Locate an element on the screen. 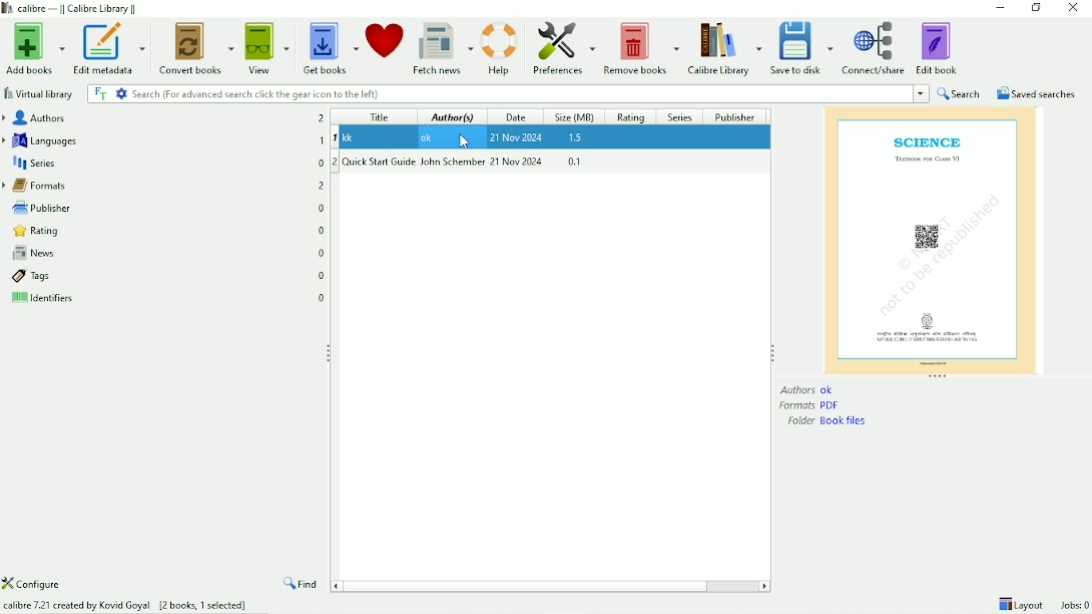  View is located at coordinates (267, 49).